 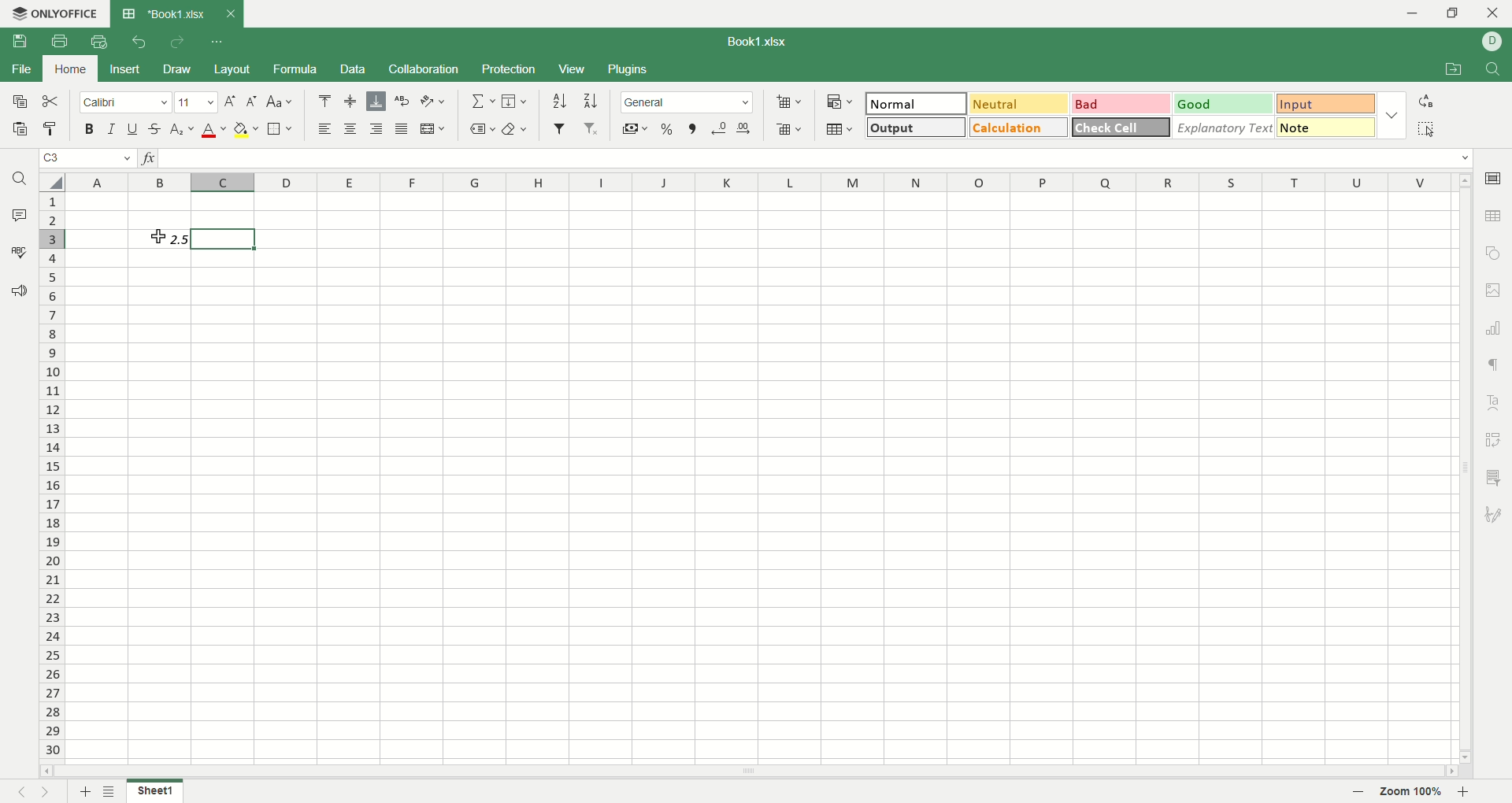 What do you see at coordinates (435, 101) in the screenshot?
I see `orientation` at bounding box center [435, 101].